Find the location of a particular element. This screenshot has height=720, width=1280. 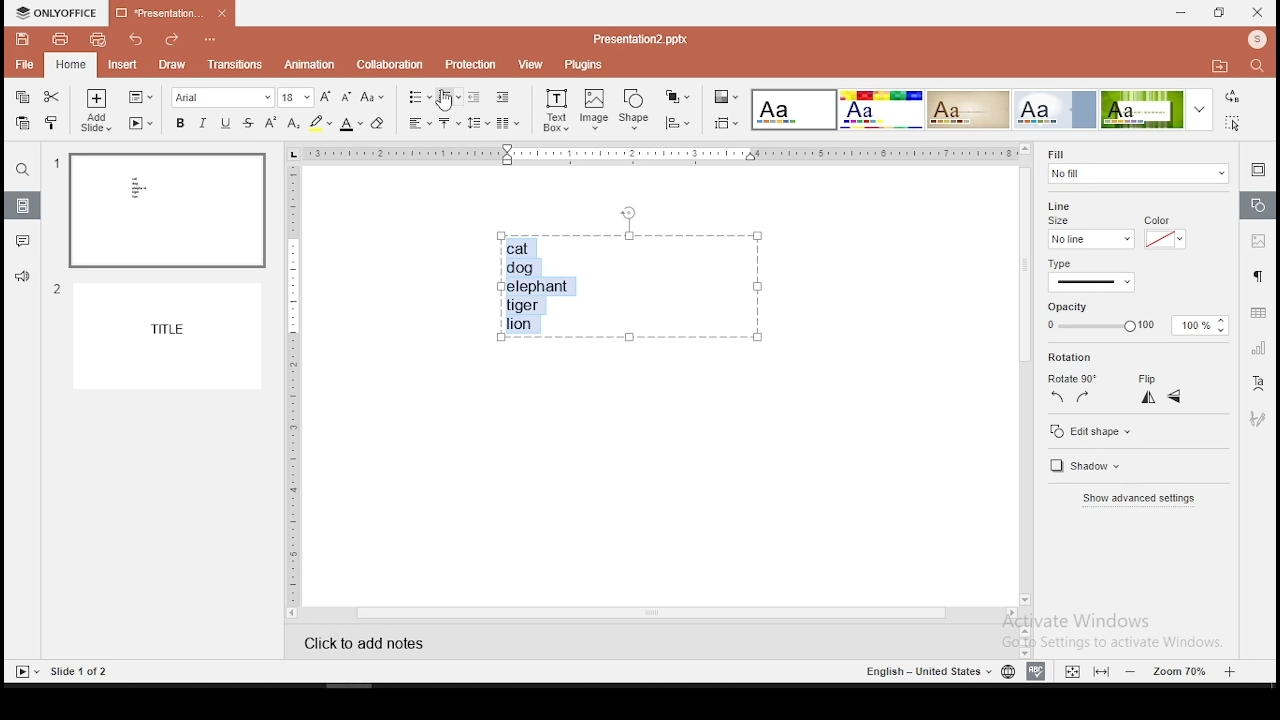

find is located at coordinates (1255, 65).